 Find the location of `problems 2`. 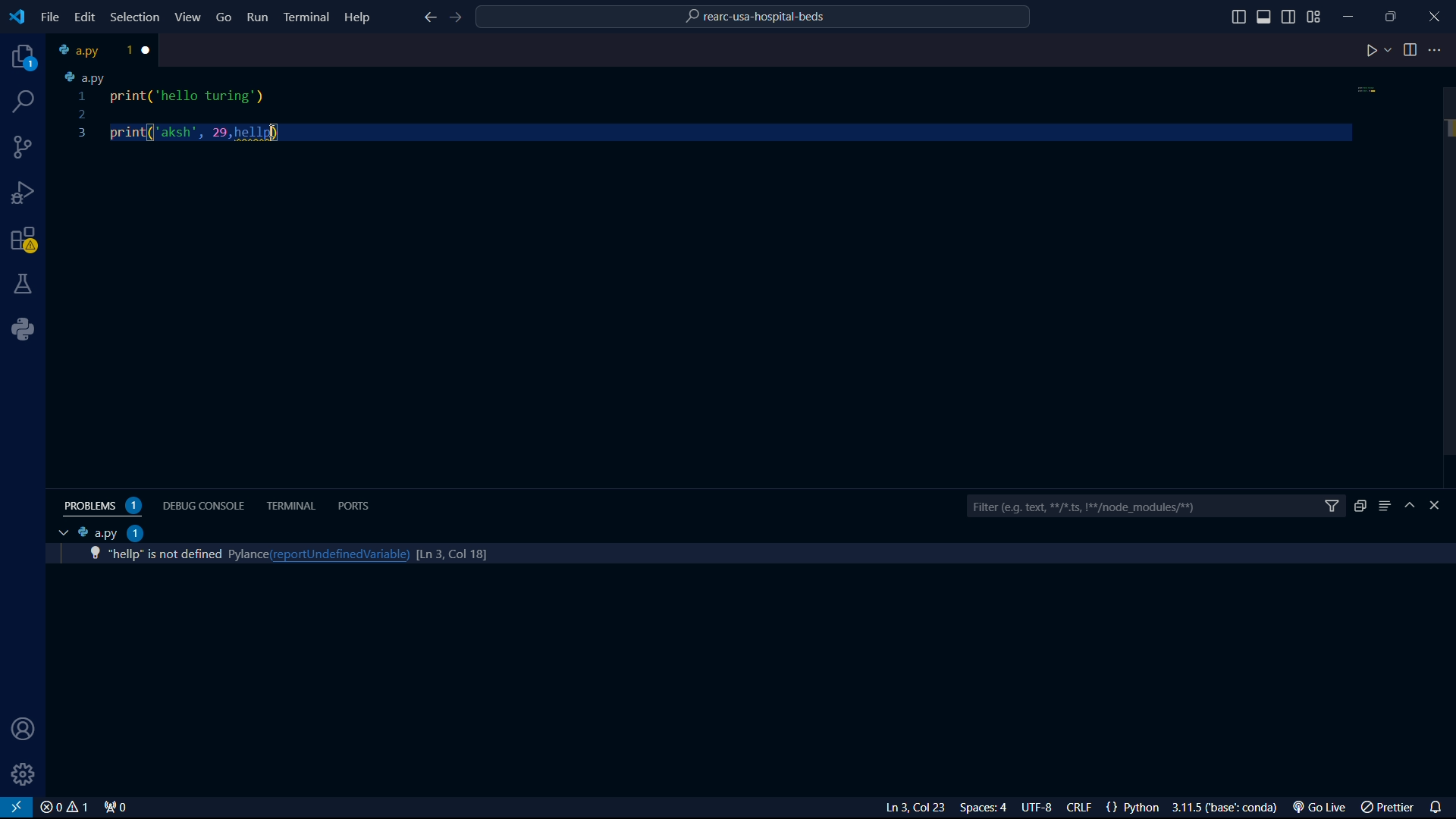

problems 2 is located at coordinates (106, 506).